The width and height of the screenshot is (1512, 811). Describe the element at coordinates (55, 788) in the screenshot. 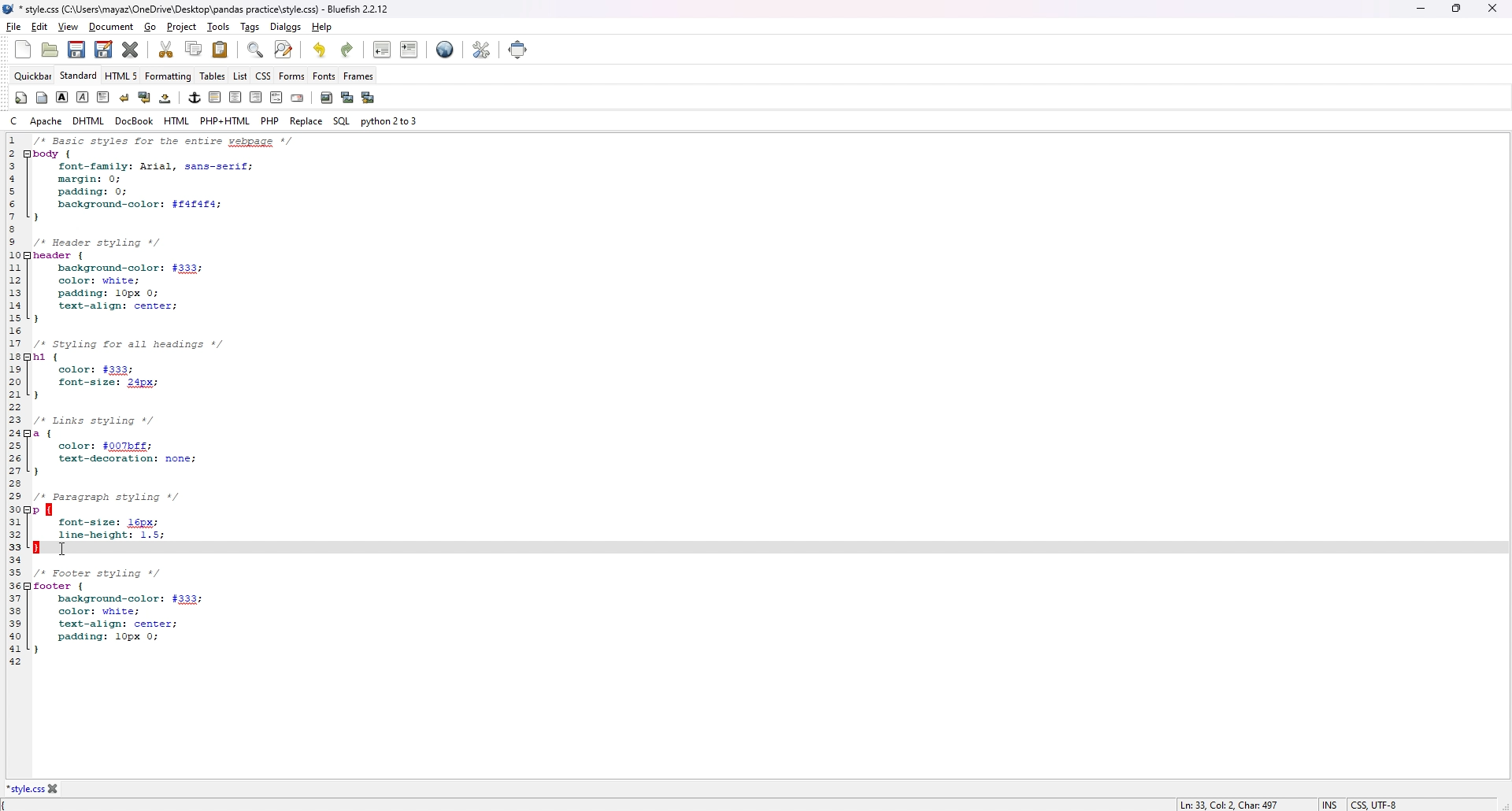

I see `close file` at that location.